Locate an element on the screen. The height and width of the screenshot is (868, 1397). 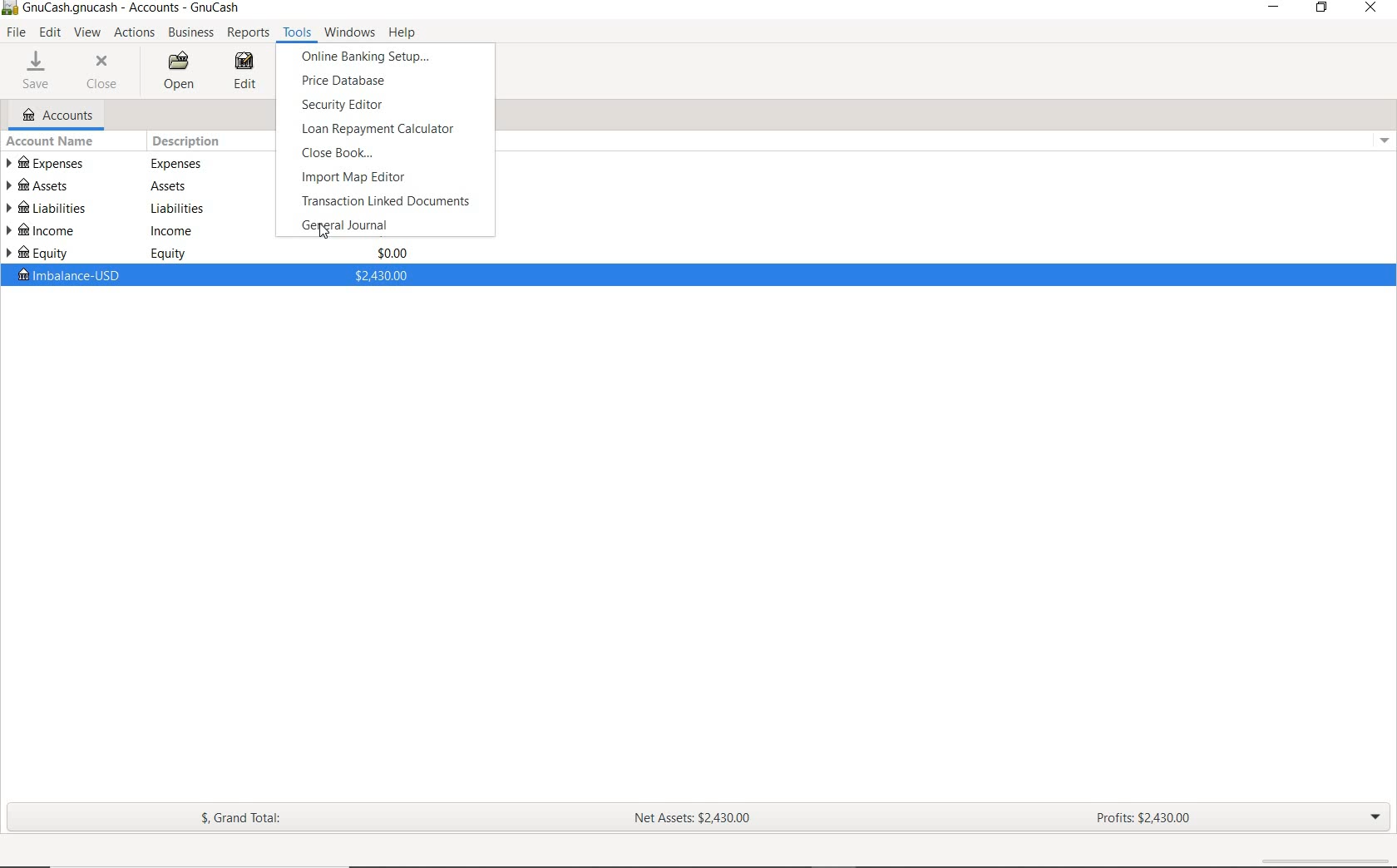
PROFITS is located at coordinates (1138, 818).